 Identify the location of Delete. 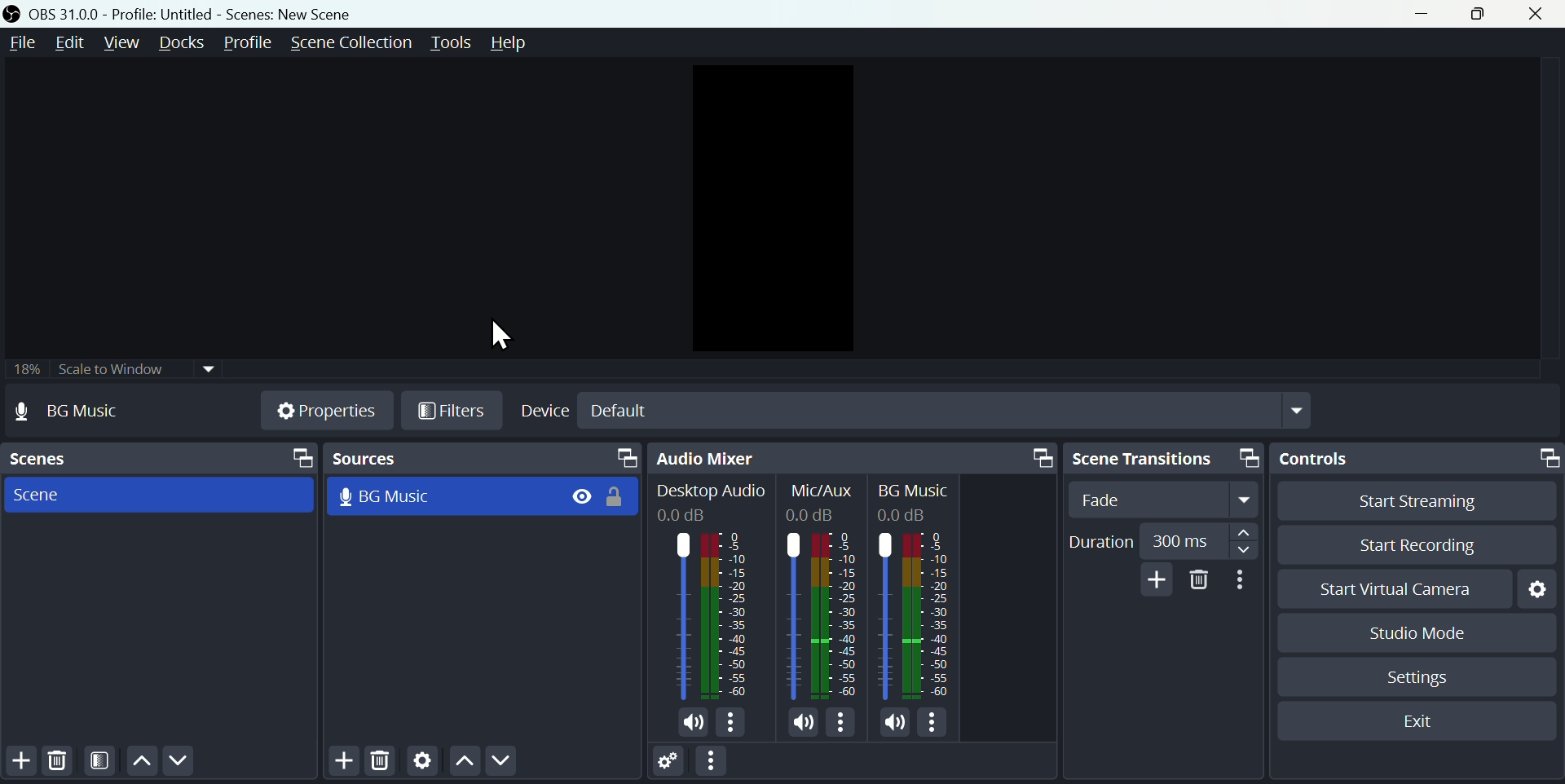
(382, 764).